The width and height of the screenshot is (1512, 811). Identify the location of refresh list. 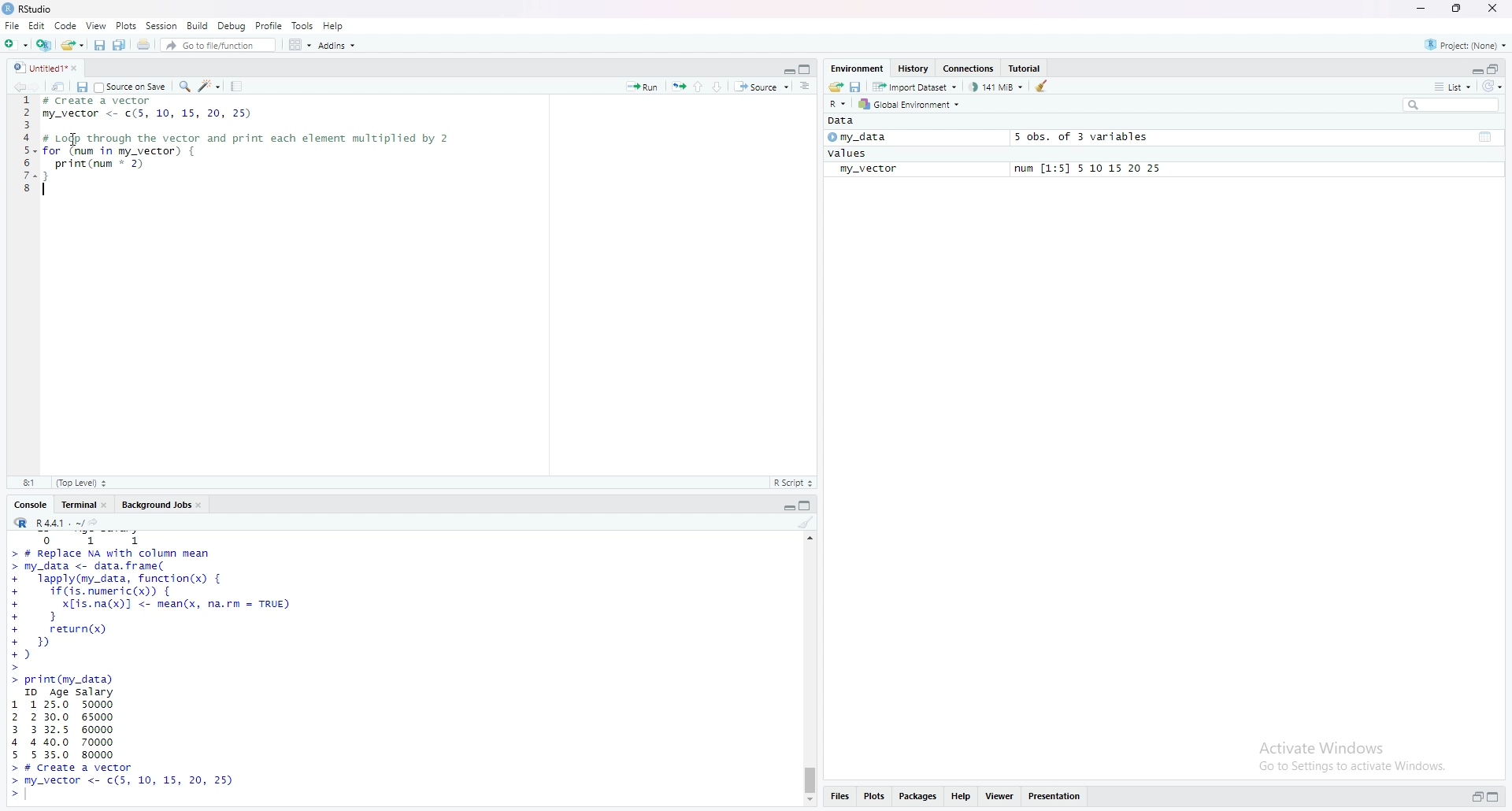
(1495, 87).